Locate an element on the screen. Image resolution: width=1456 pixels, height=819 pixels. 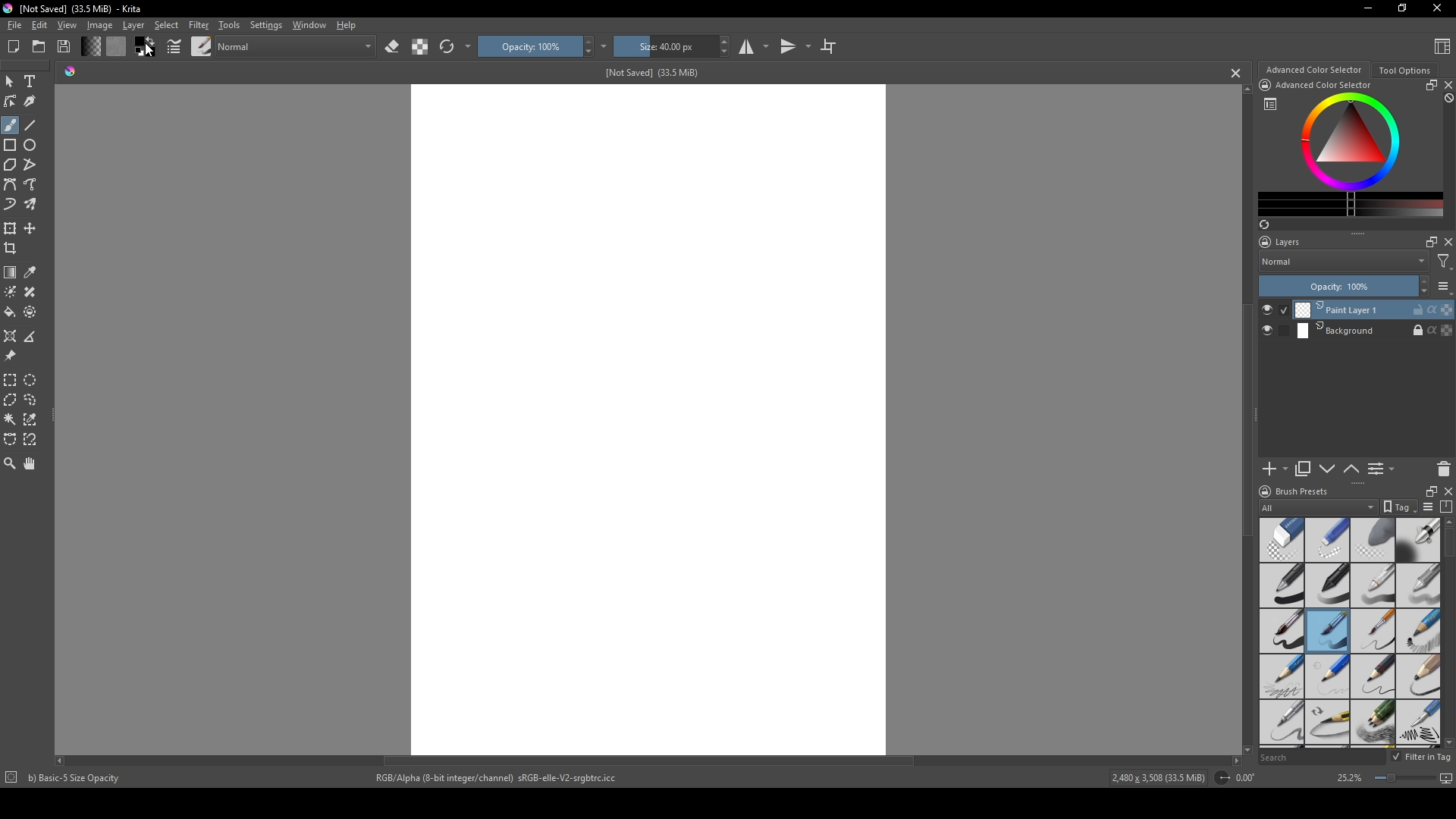
icon is located at coordinates (1221, 778).